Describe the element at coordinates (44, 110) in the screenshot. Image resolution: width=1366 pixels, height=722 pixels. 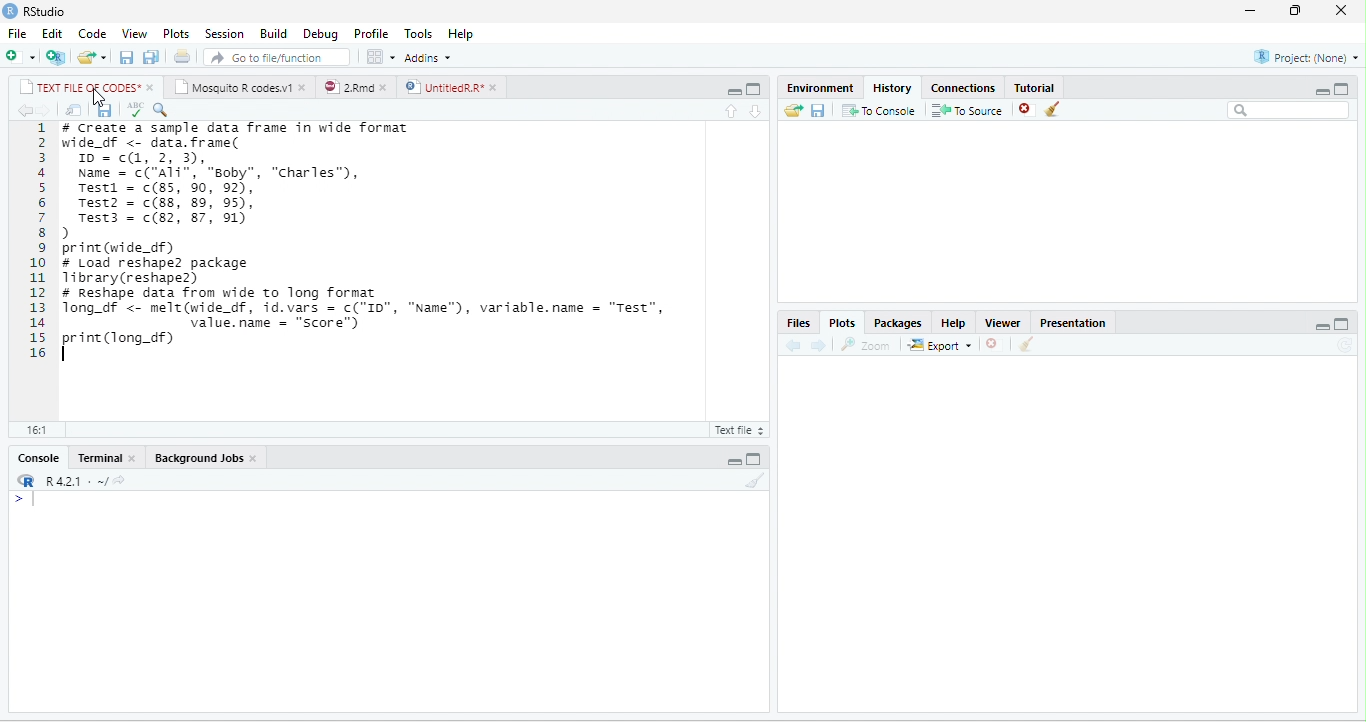
I see `forward` at that location.